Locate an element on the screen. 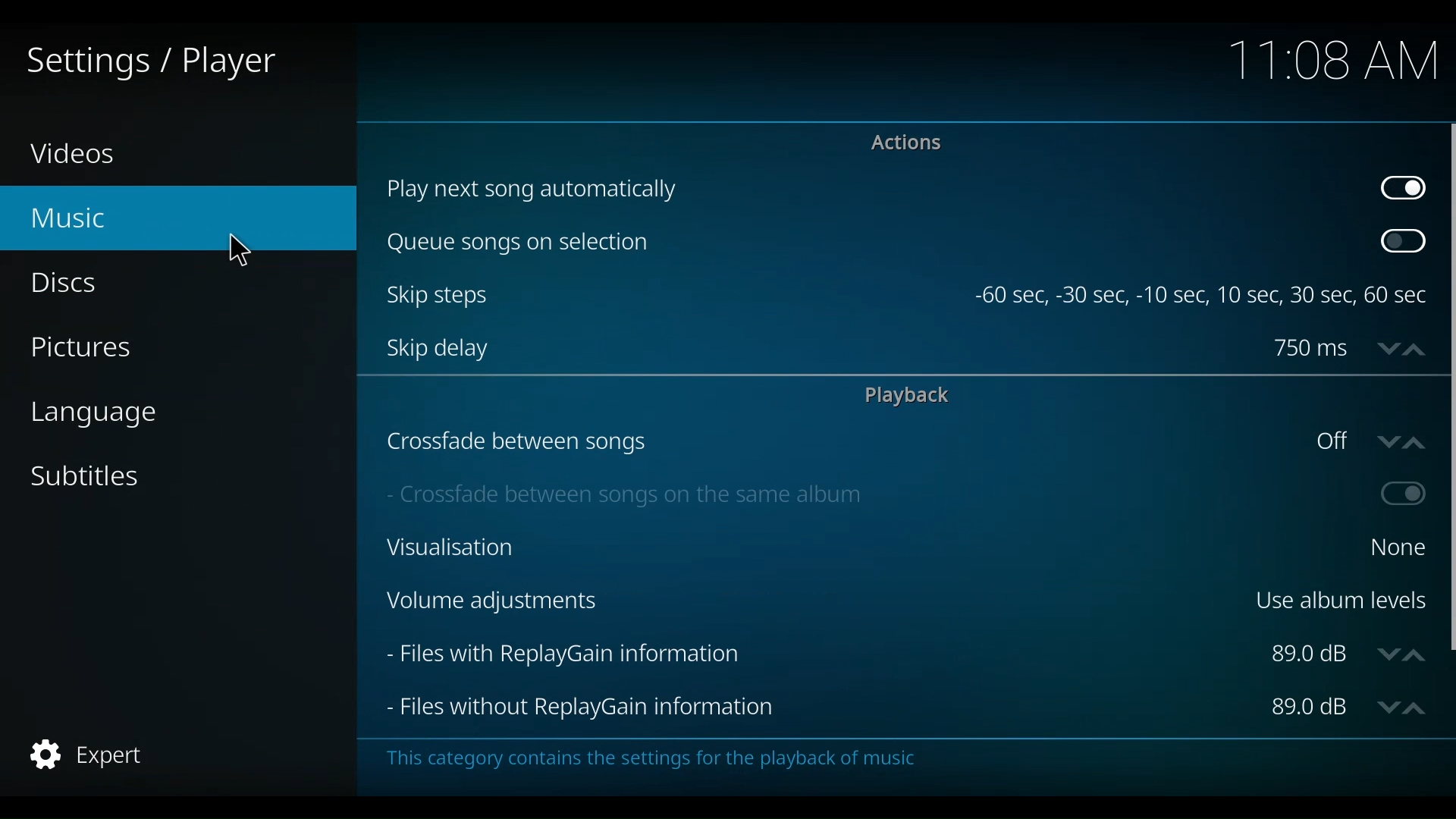 This screenshot has width=1456, height=819. Skip stes is located at coordinates (674, 295).